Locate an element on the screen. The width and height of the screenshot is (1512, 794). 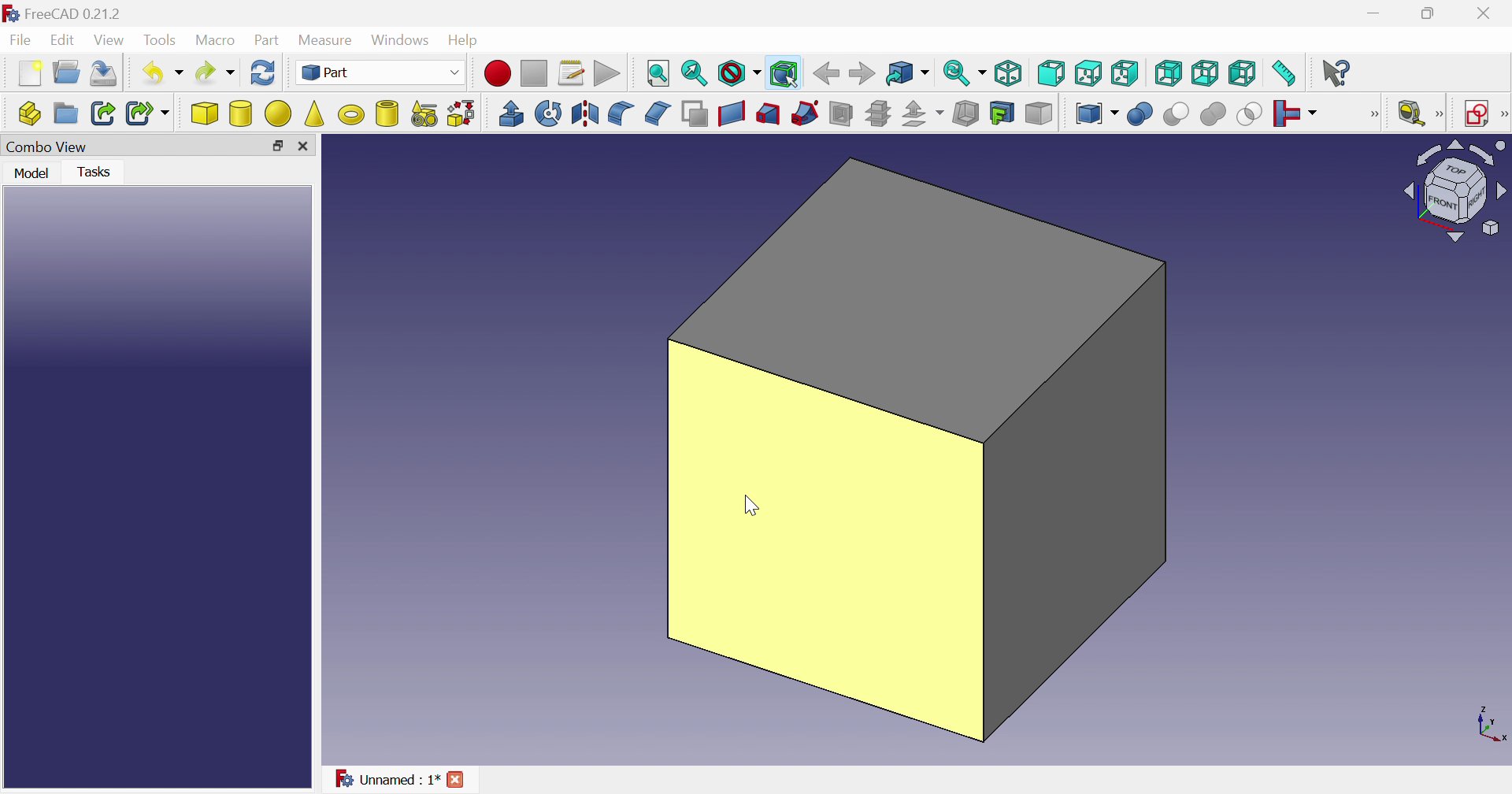
FreeCAD 0.21.2 is located at coordinates (76, 13).